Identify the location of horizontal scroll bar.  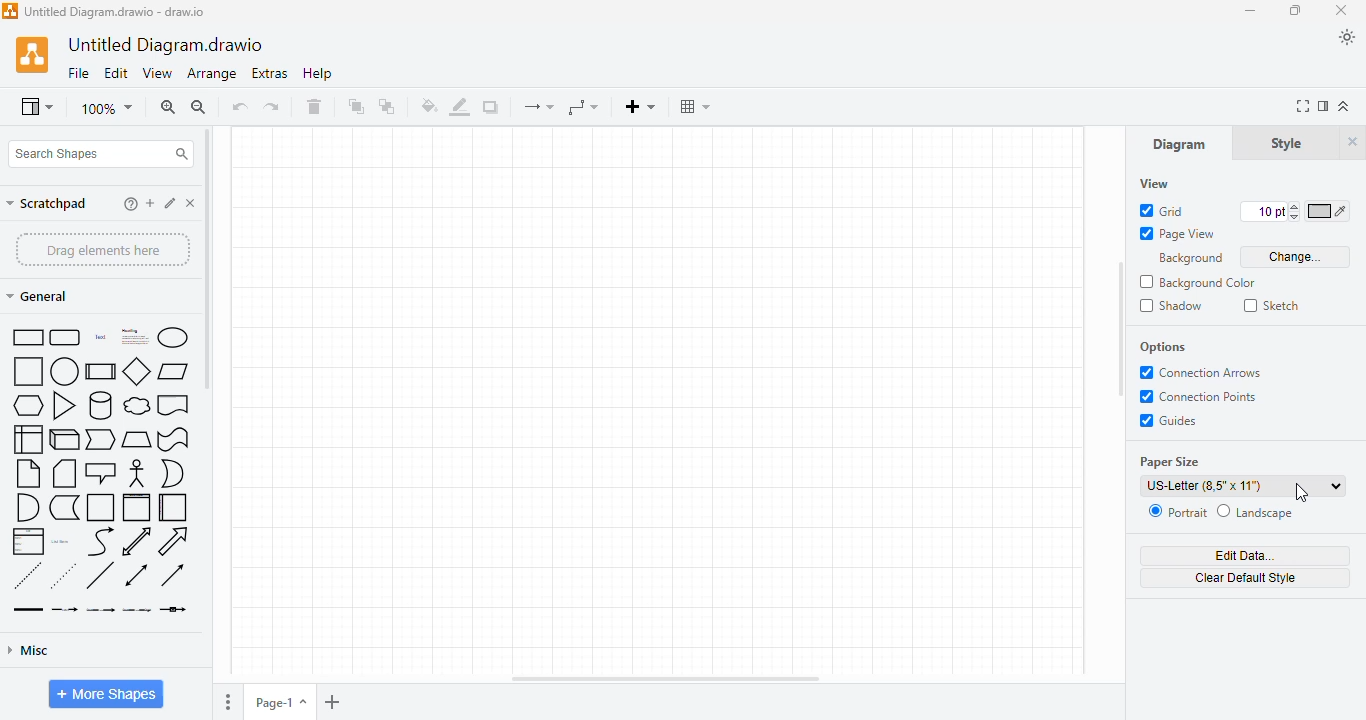
(666, 679).